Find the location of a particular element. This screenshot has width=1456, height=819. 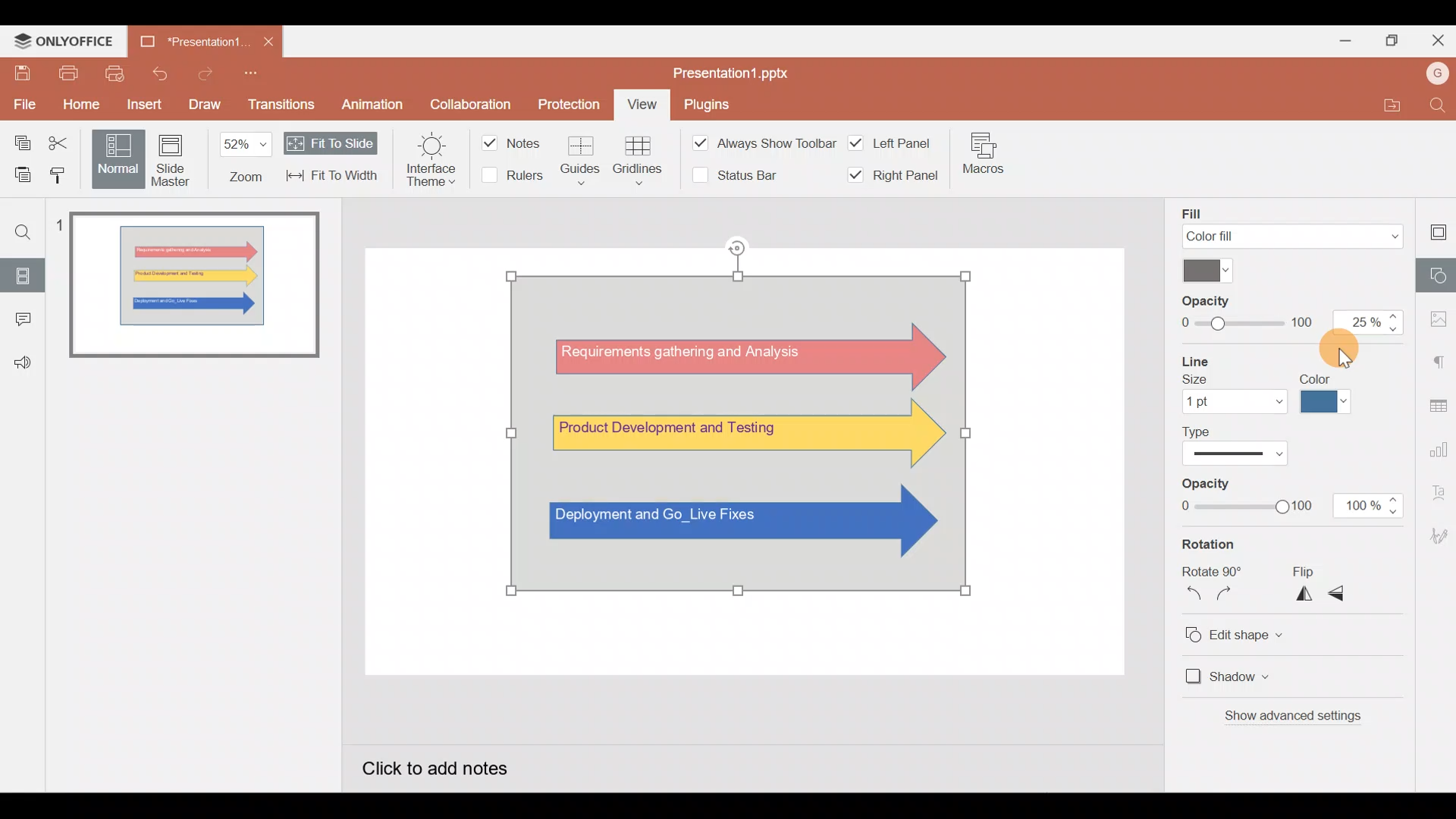

Line type is located at coordinates (1246, 444).